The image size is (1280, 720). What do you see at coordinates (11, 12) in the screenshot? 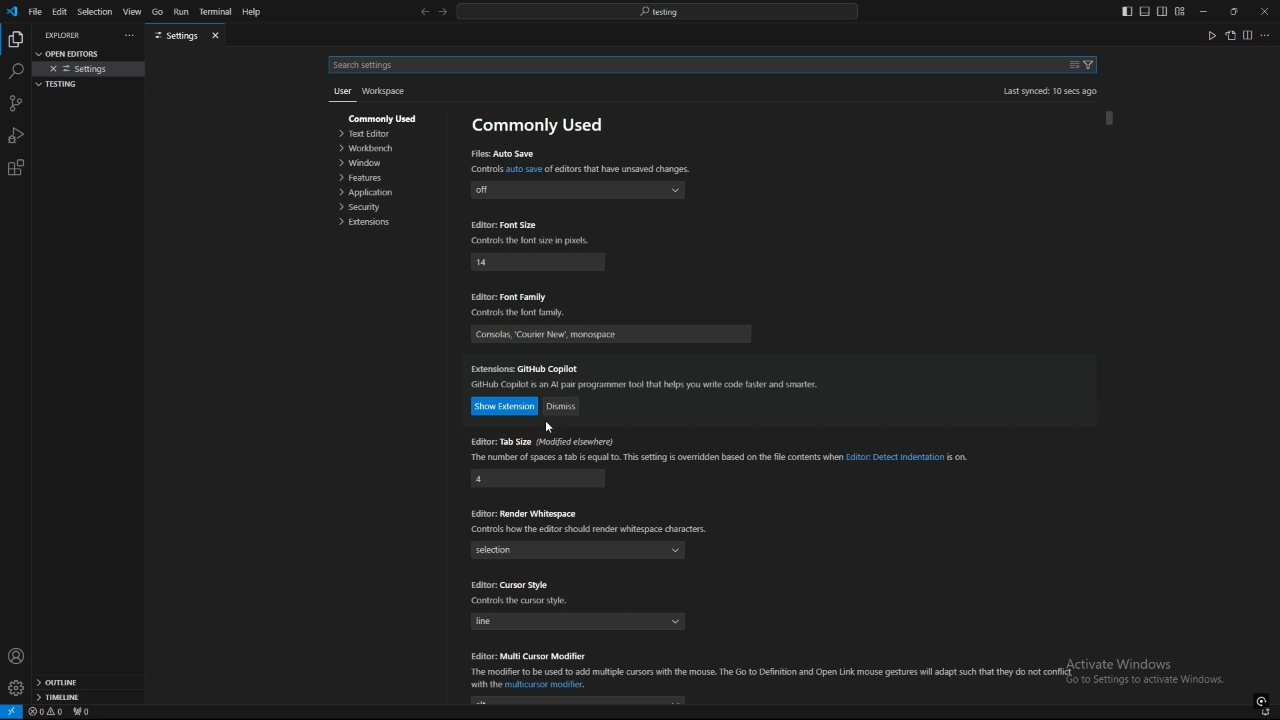
I see `vscode` at bounding box center [11, 12].